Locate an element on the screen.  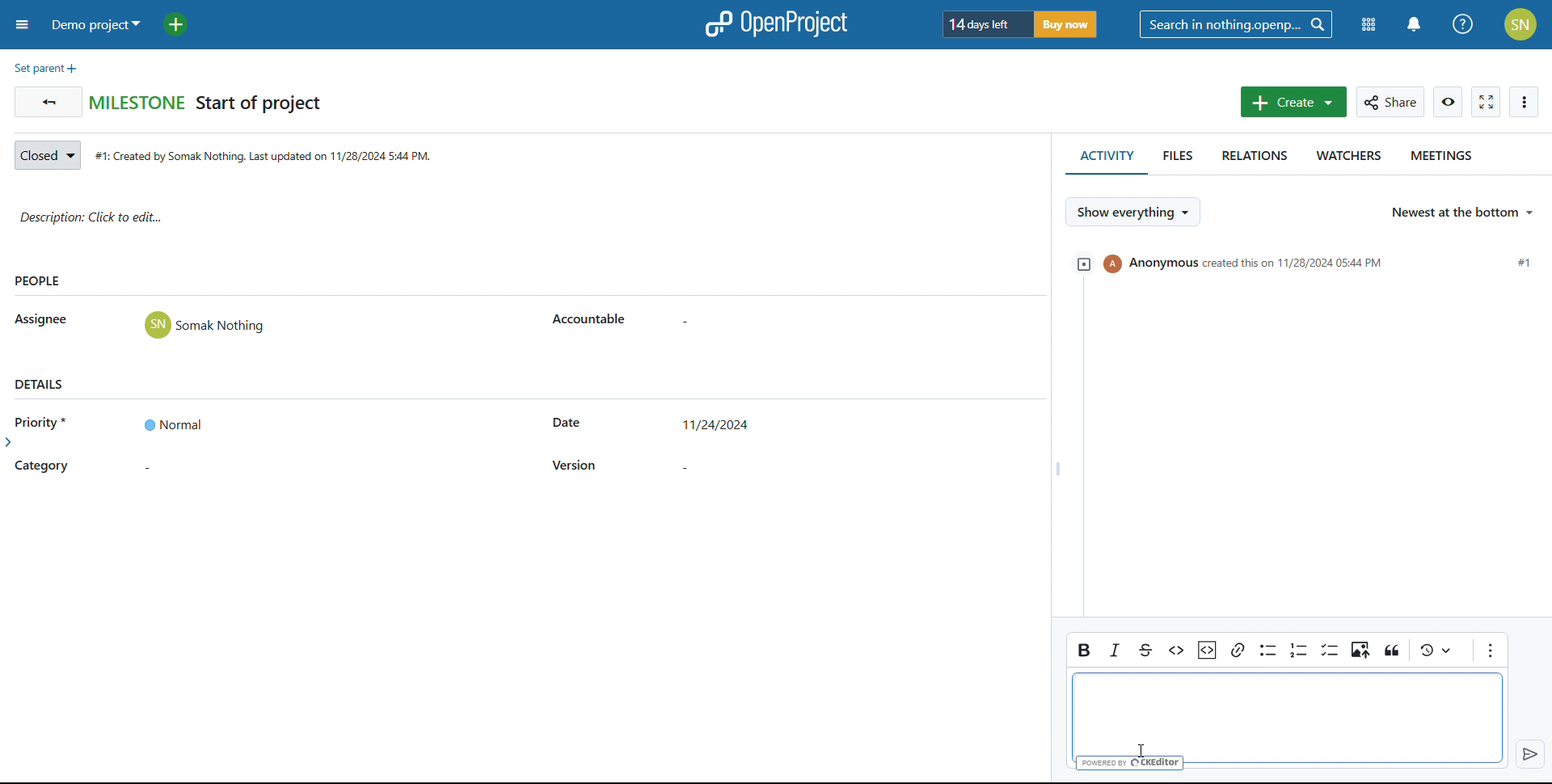
to do list is located at coordinates (1330, 650).